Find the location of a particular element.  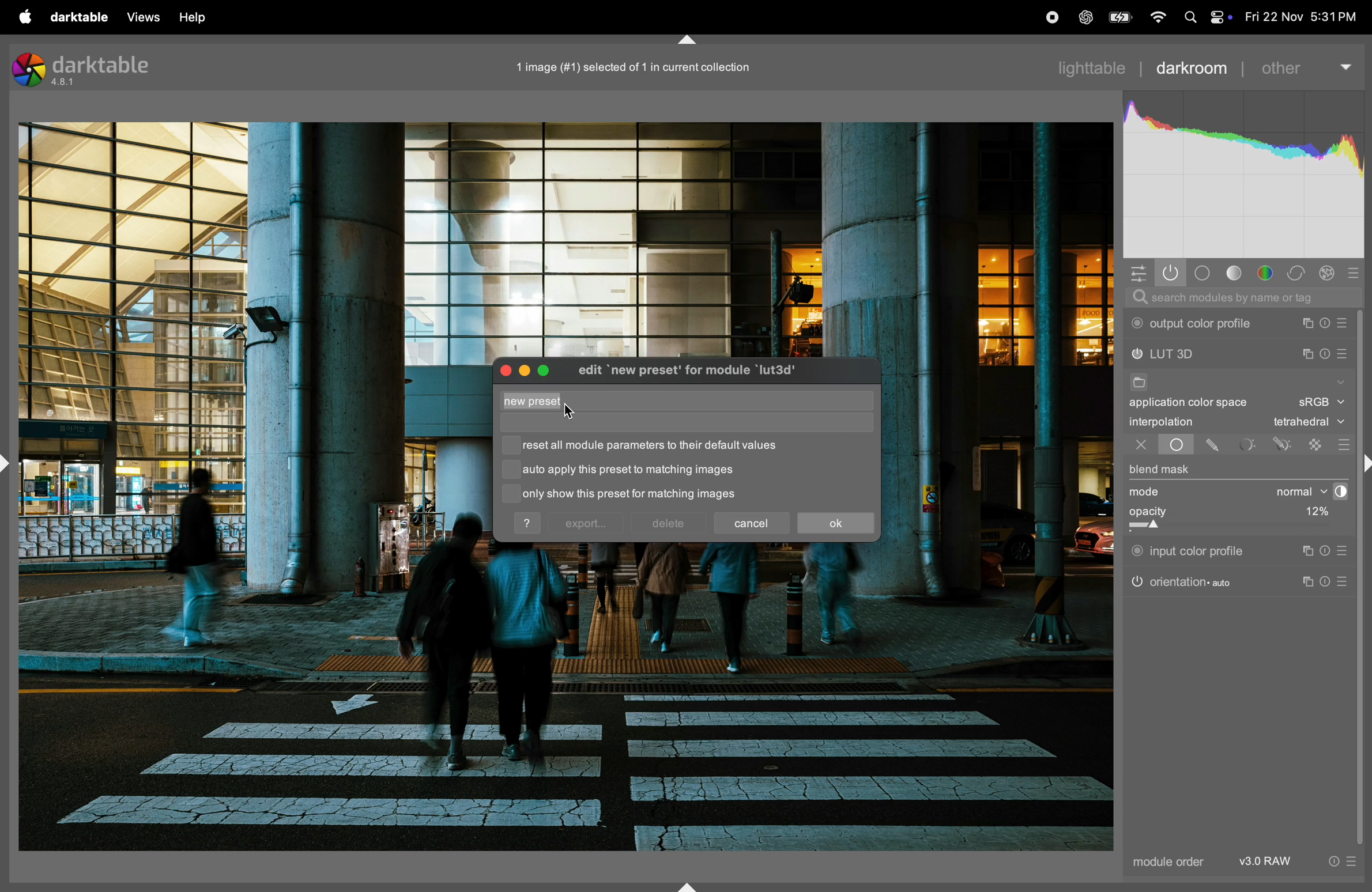

interpolation is located at coordinates (1162, 422).